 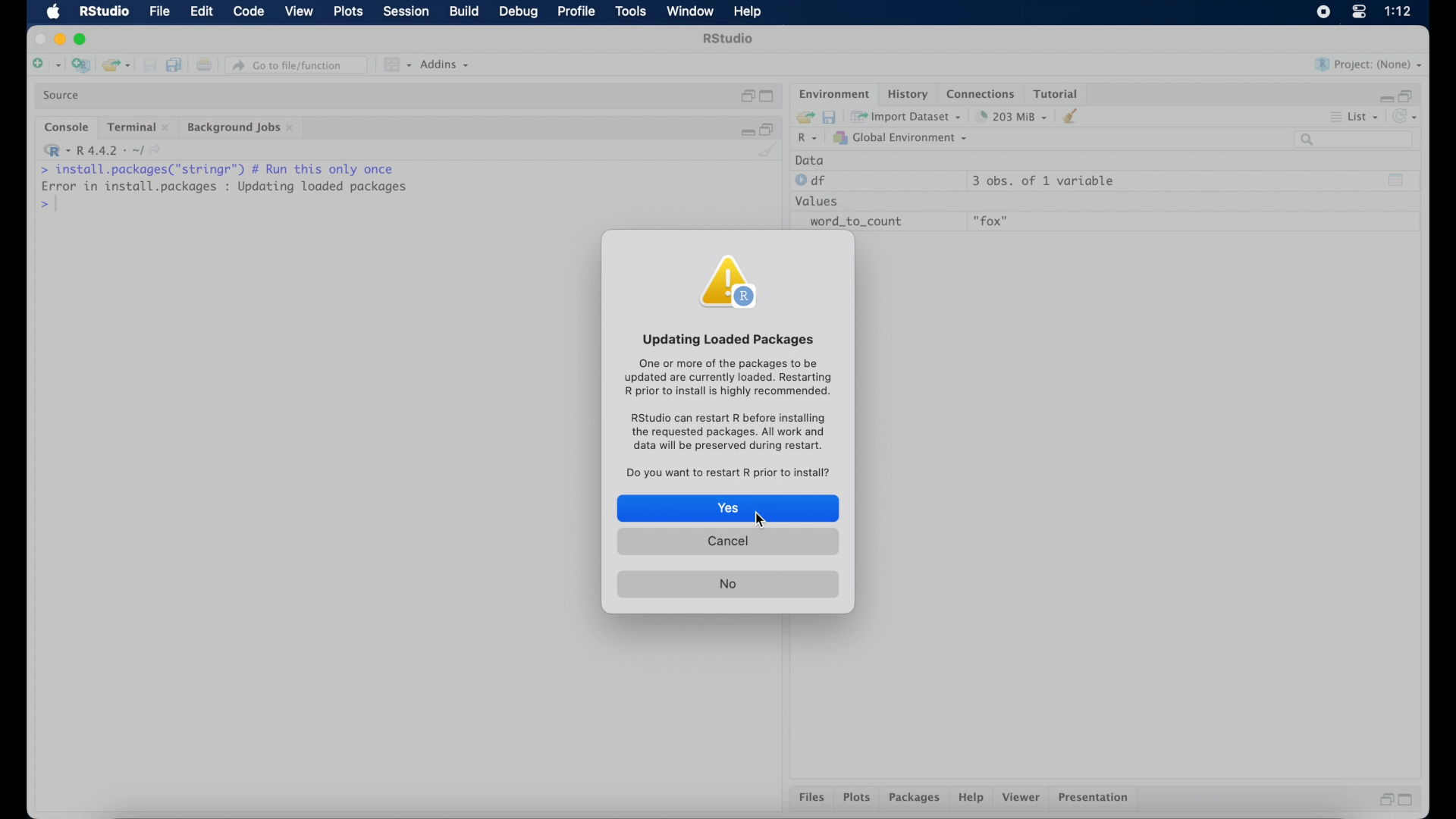 What do you see at coordinates (38, 39) in the screenshot?
I see `close` at bounding box center [38, 39].